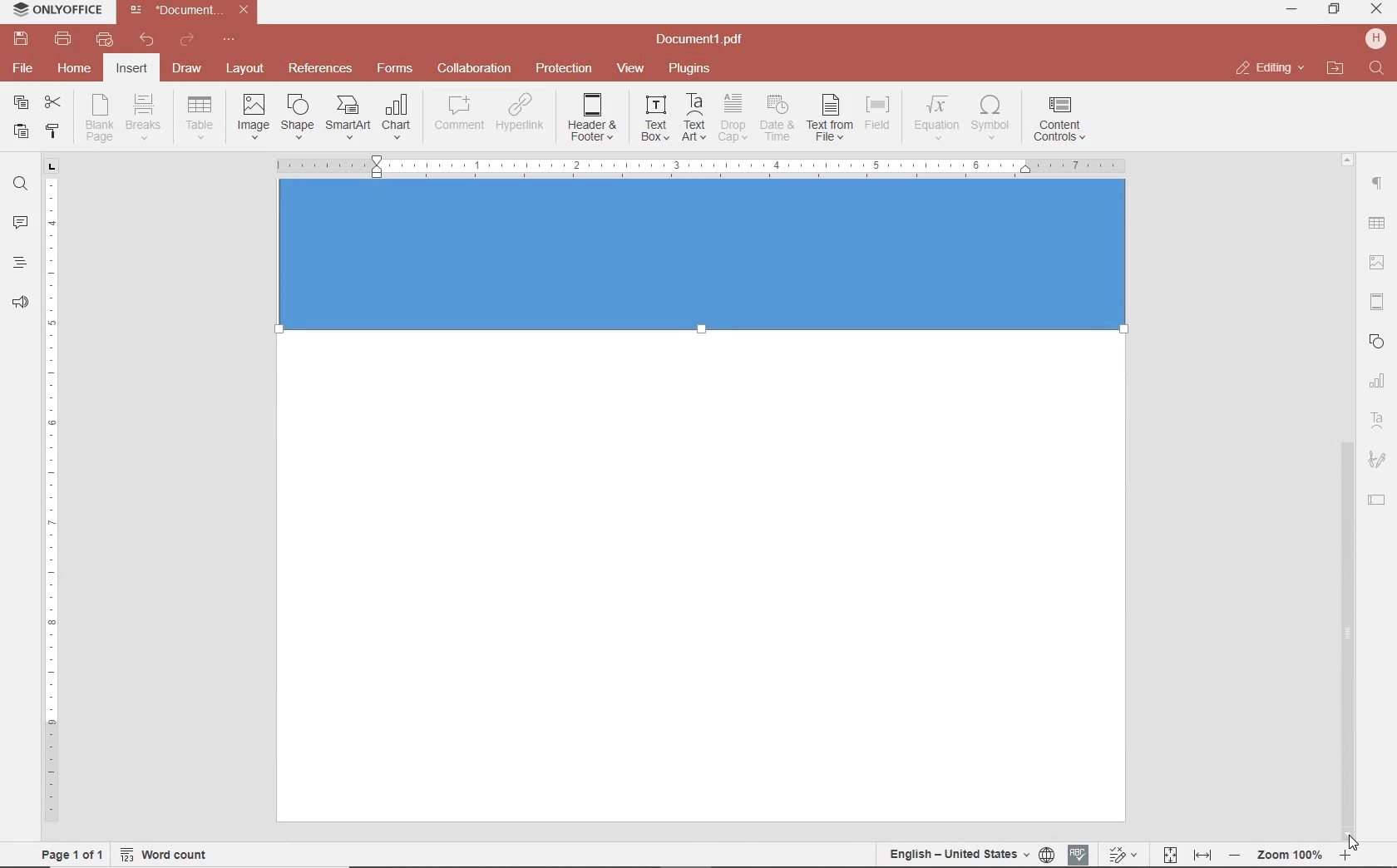 The image size is (1397, 868). What do you see at coordinates (704, 40) in the screenshot?
I see `file name` at bounding box center [704, 40].